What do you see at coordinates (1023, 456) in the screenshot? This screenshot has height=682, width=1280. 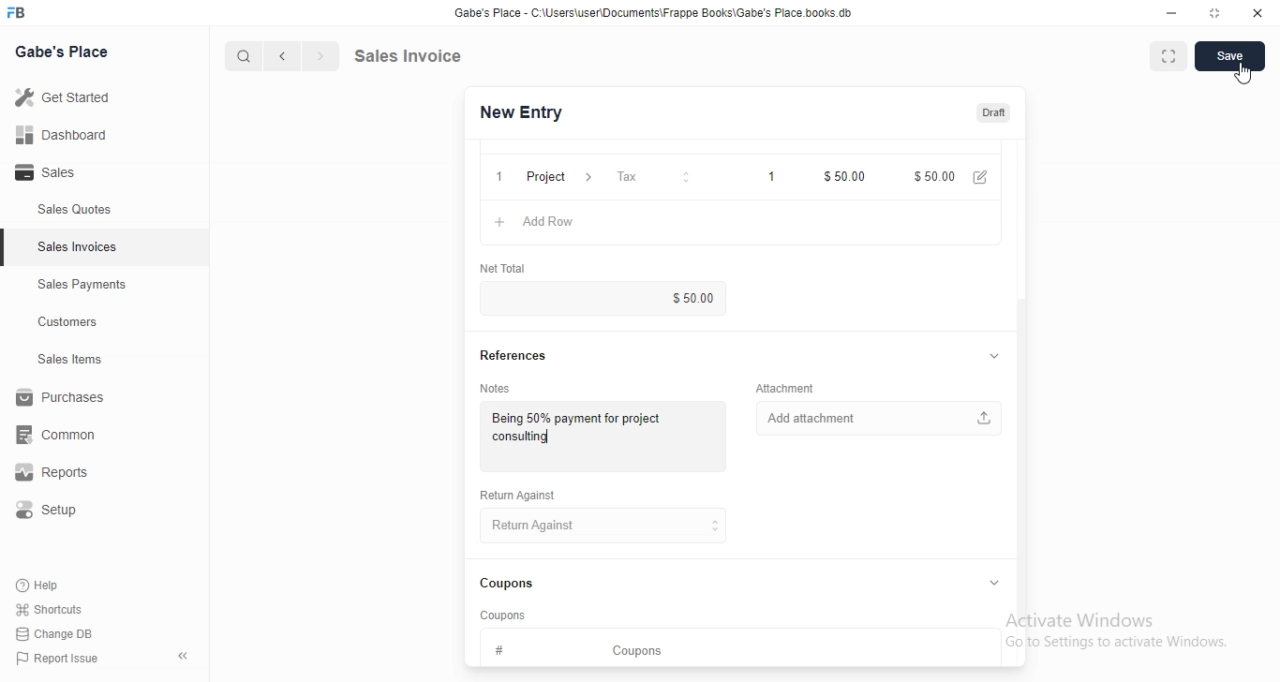 I see `scroll bar` at bounding box center [1023, 456].